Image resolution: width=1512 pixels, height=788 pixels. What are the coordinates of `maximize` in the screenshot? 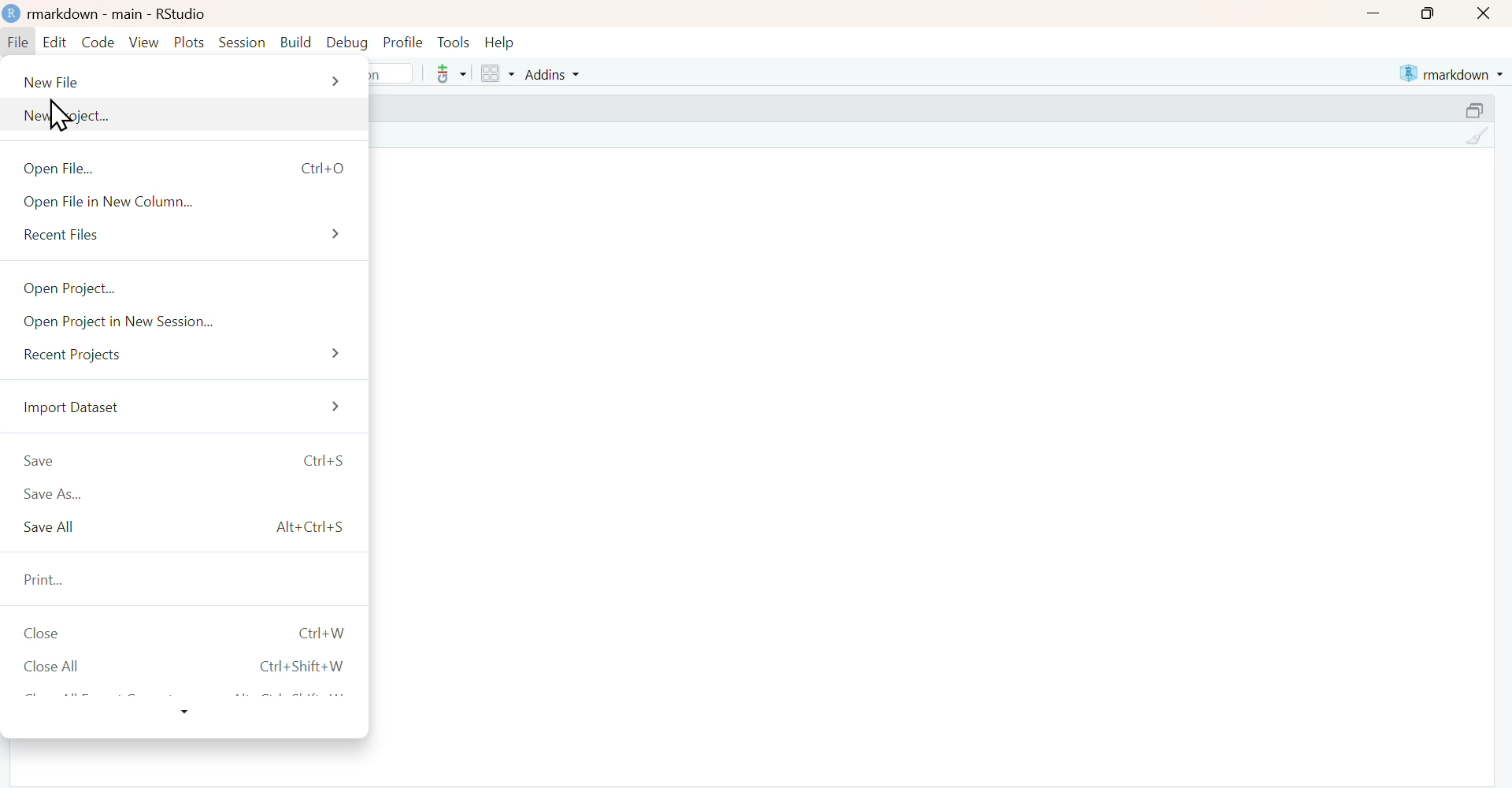 It's located at (1476, 109).